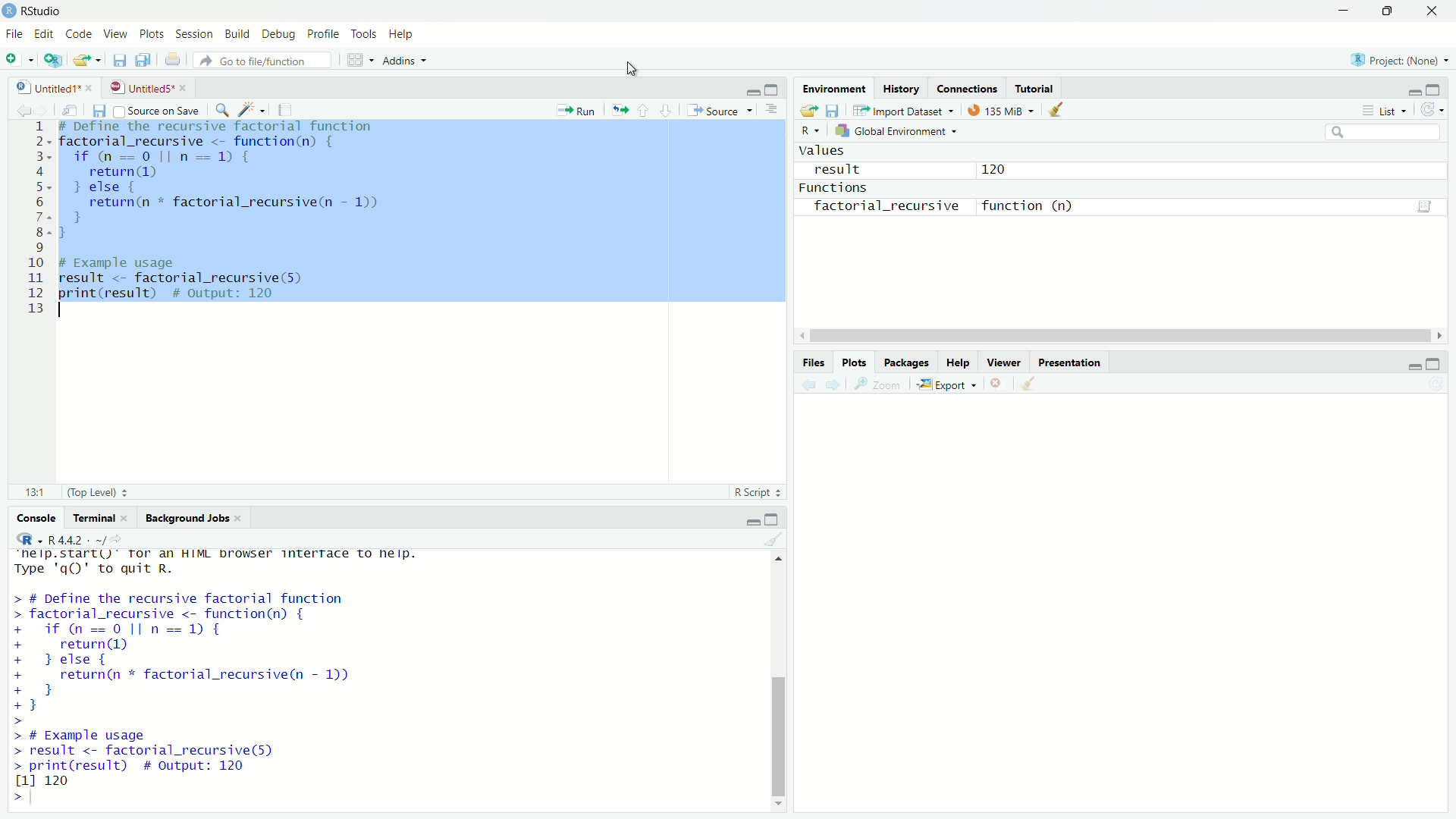  Describe the element at coordinates (1432, 111) in the screenshot. I see `Refresh the list of objects in the environment` at that location.